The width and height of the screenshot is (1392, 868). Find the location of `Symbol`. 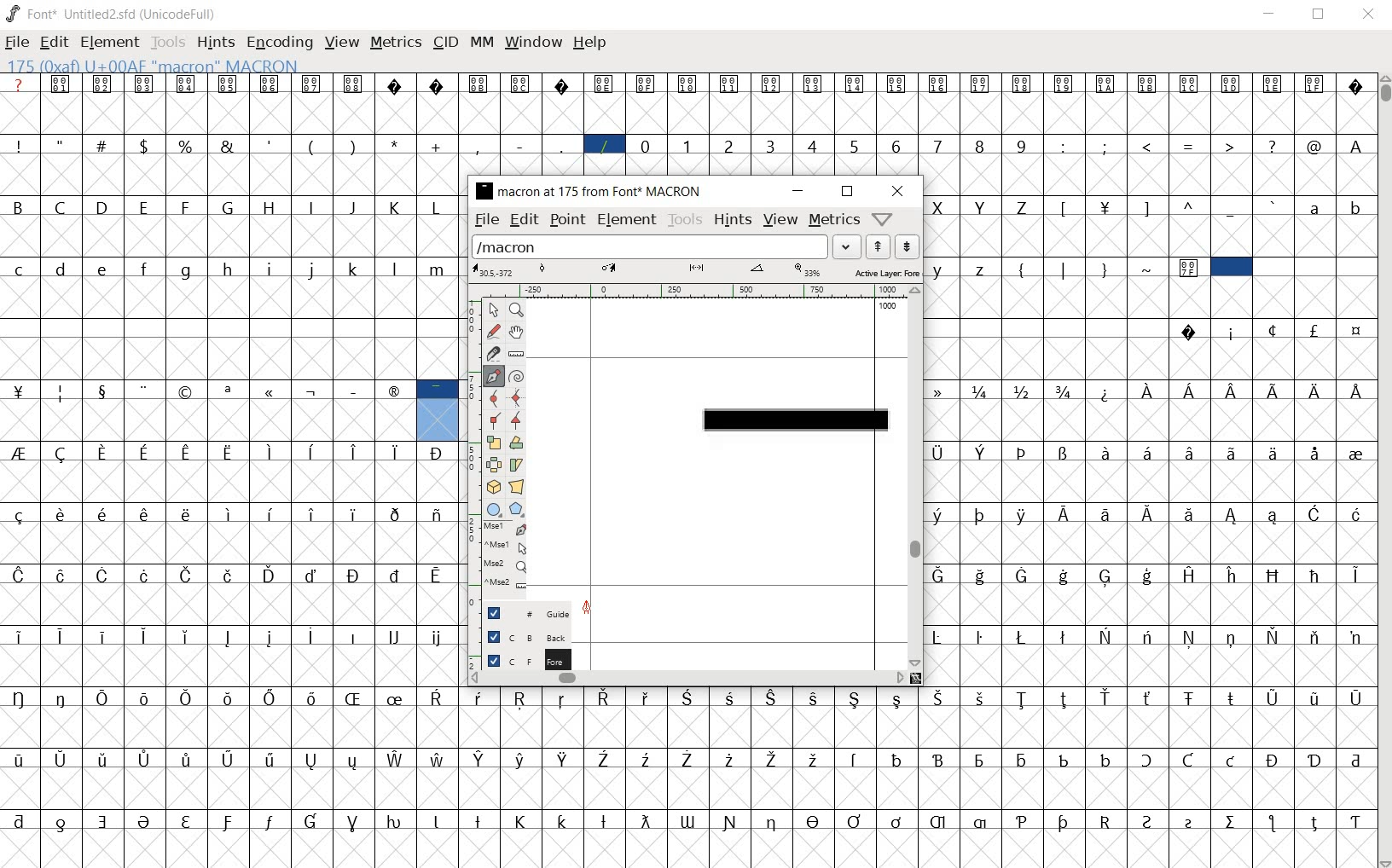

Symbol is located at coordinates (1230, 759).